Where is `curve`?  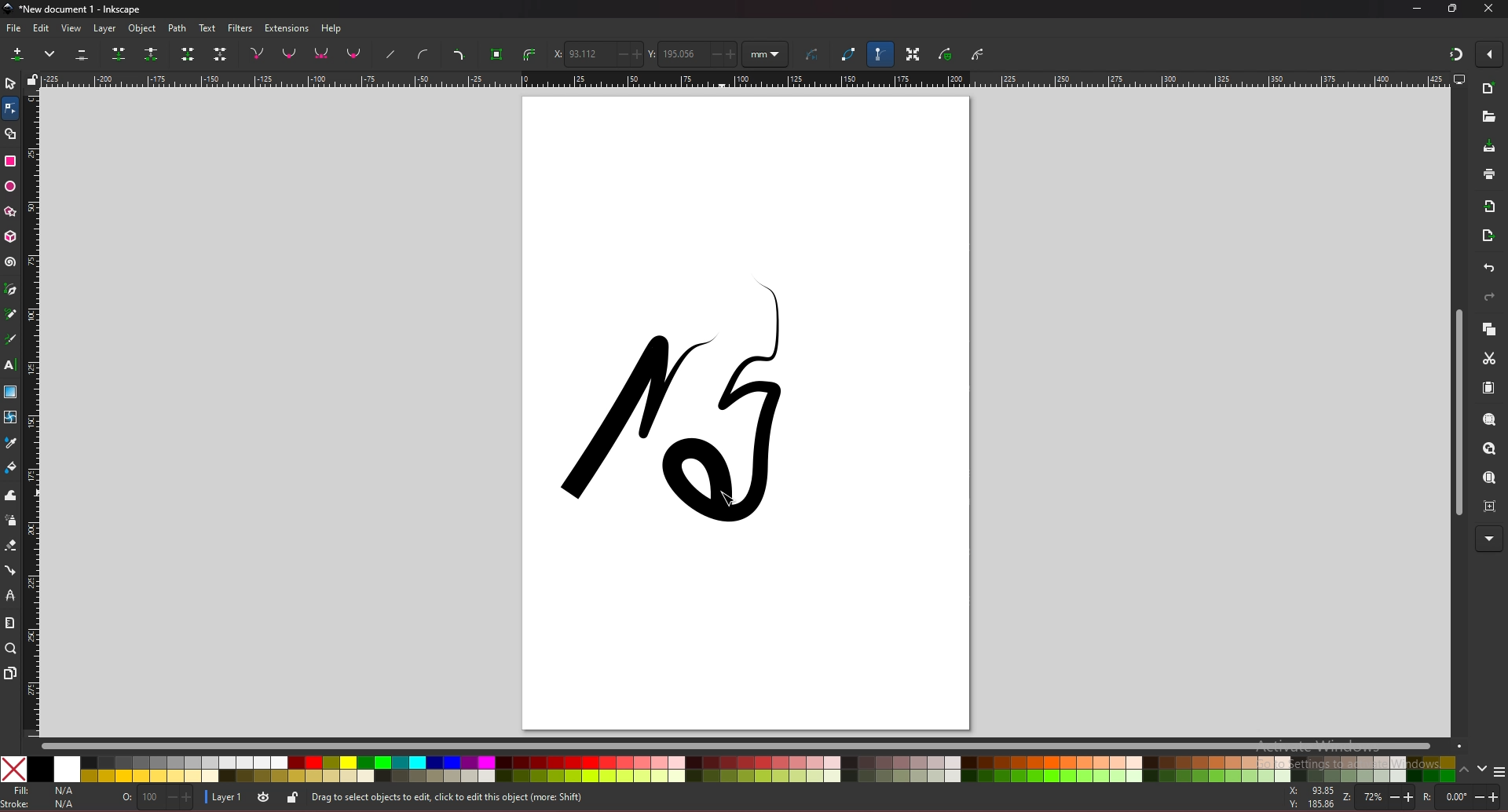
curve is located at coordinates (814, 52).